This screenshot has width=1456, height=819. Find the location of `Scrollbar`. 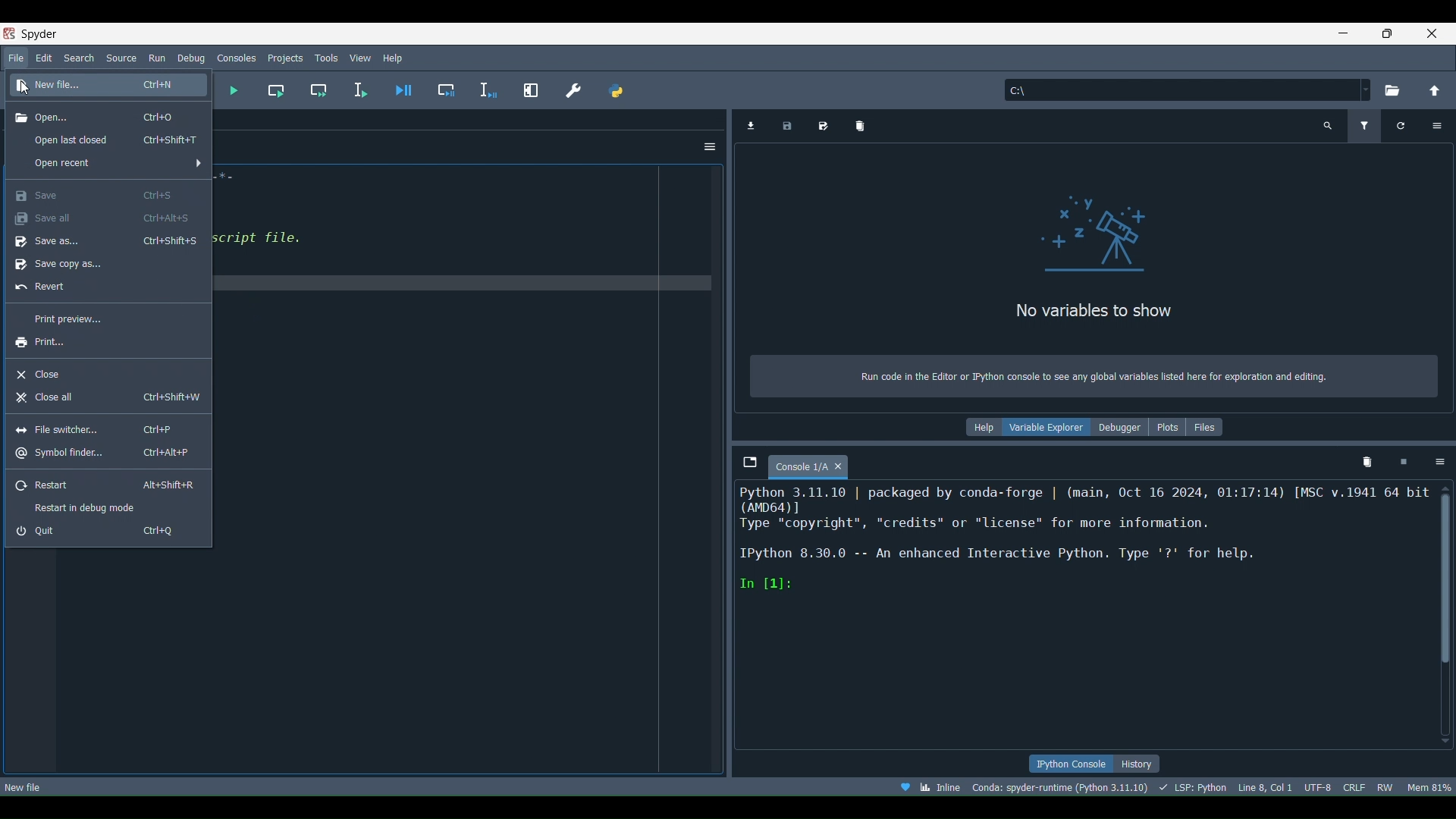

Scrollbar is located at coordinates (1447, 572).